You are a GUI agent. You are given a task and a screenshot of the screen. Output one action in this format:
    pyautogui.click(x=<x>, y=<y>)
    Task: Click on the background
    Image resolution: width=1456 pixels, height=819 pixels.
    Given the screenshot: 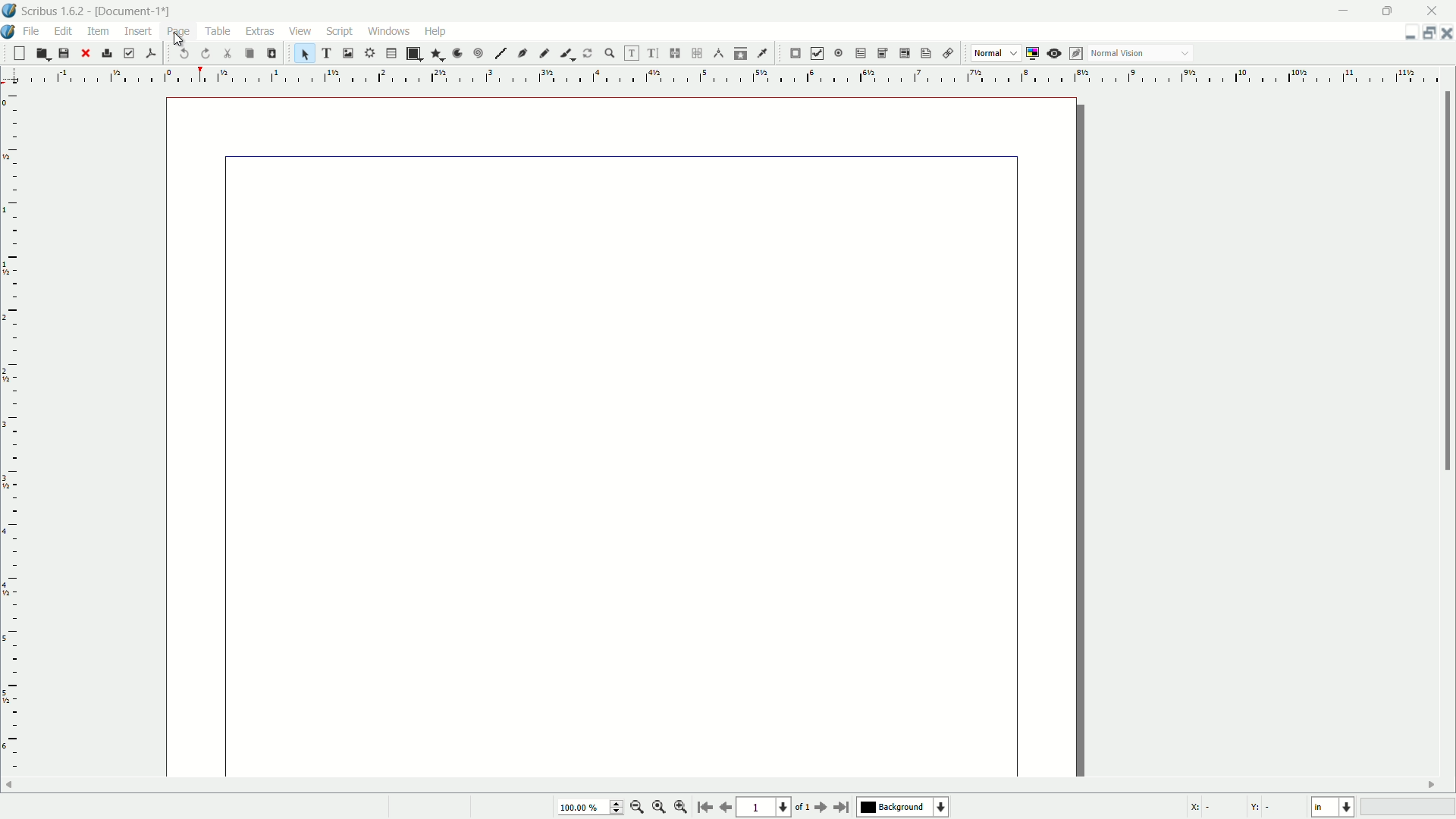 What is the action you would take?
    pyautogui.click(x=905, y=808)
    